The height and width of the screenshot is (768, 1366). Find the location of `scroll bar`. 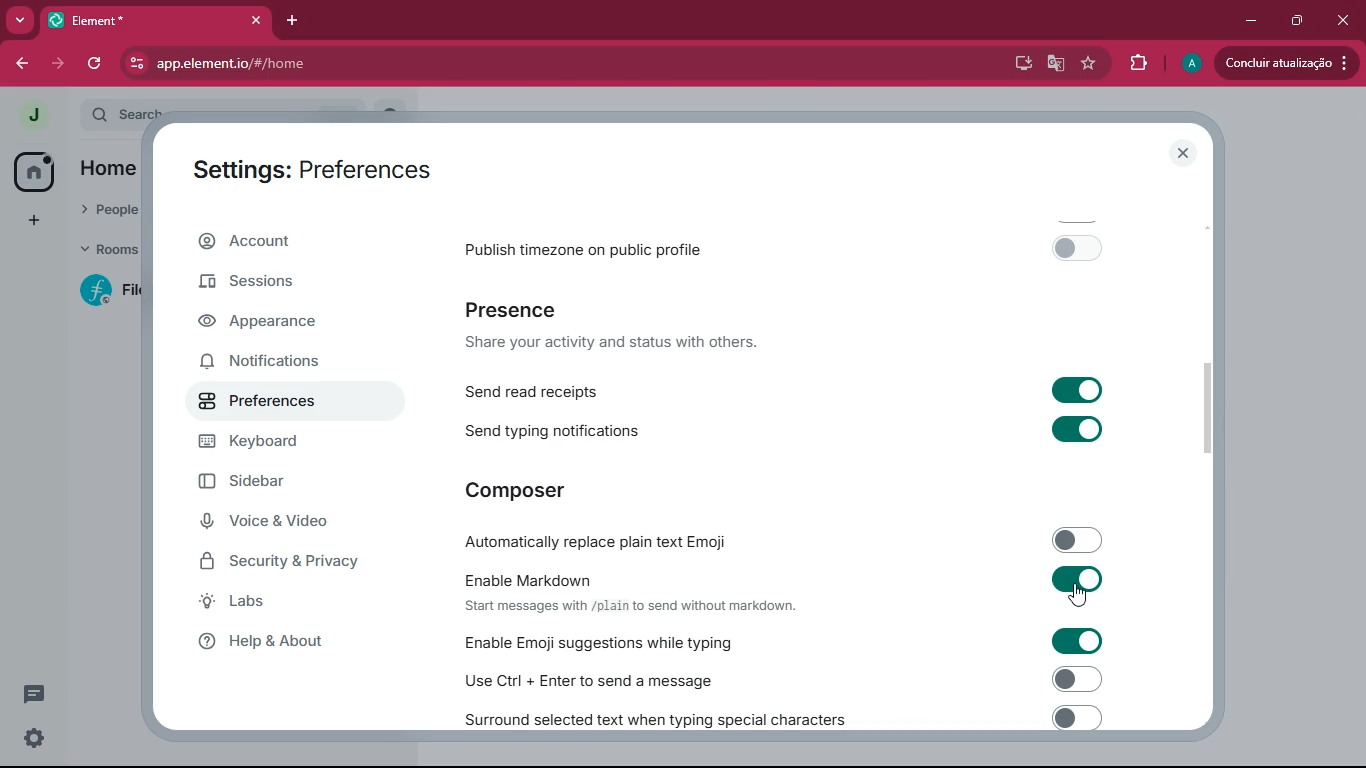

scroll bar is located at coordinates (1210, 412).